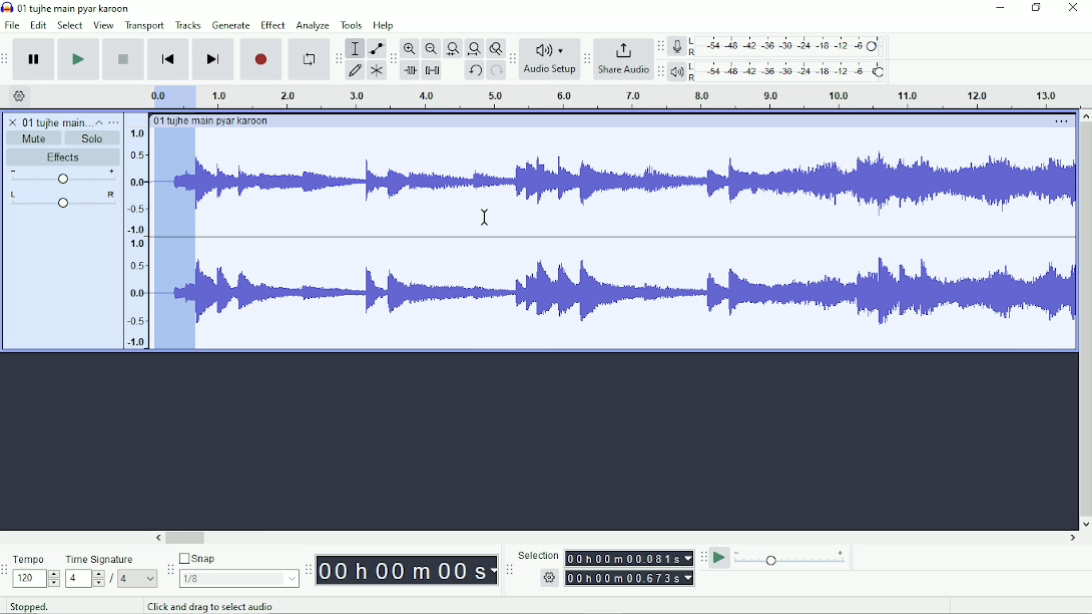 The image size is (1092, 614). Describe the element at coordinates (174, 239) in the screenshot. I see `Already Played` at that location.